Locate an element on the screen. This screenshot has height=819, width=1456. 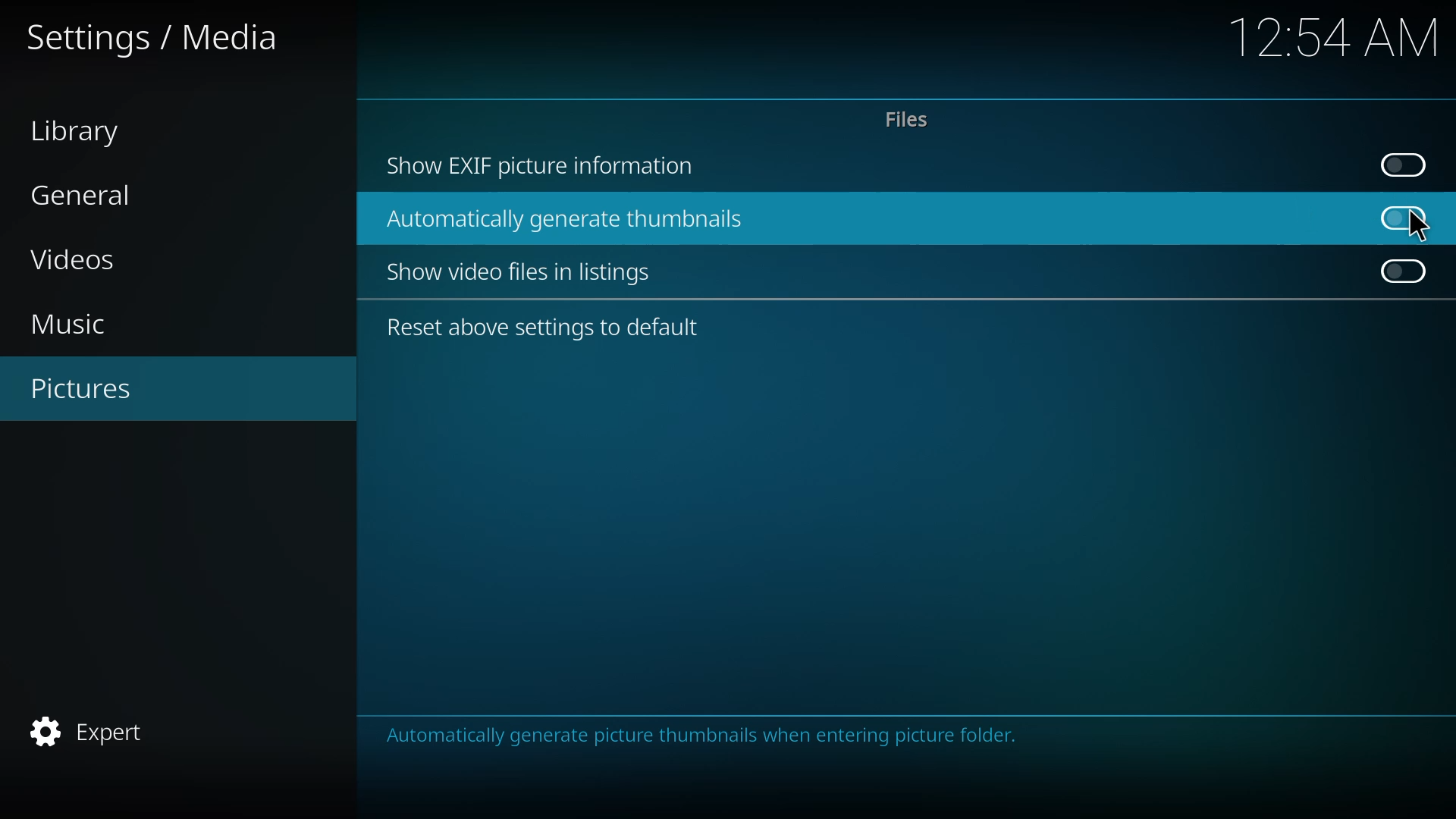
info is located at coordinates (795, 736).